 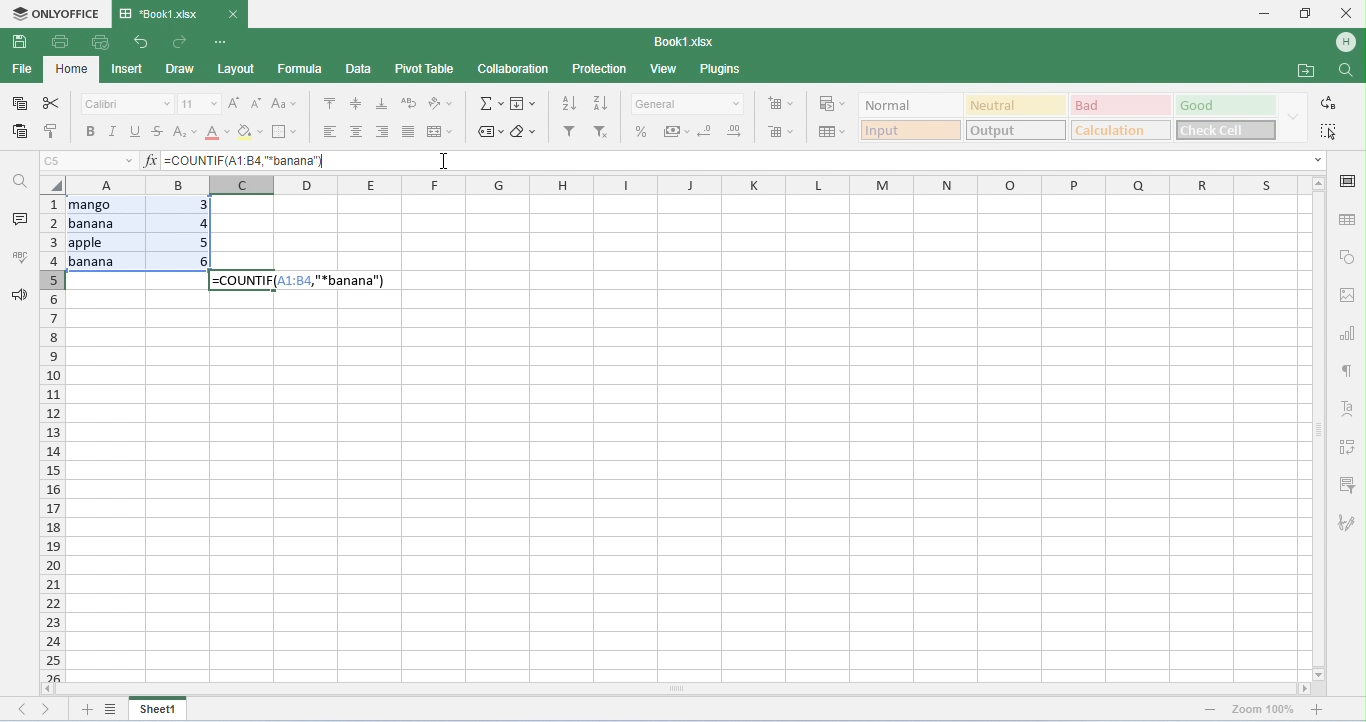 What do you see at coordinates (128, 71) in the screenshot?
I see `insert` at bounding box center [128, 71].